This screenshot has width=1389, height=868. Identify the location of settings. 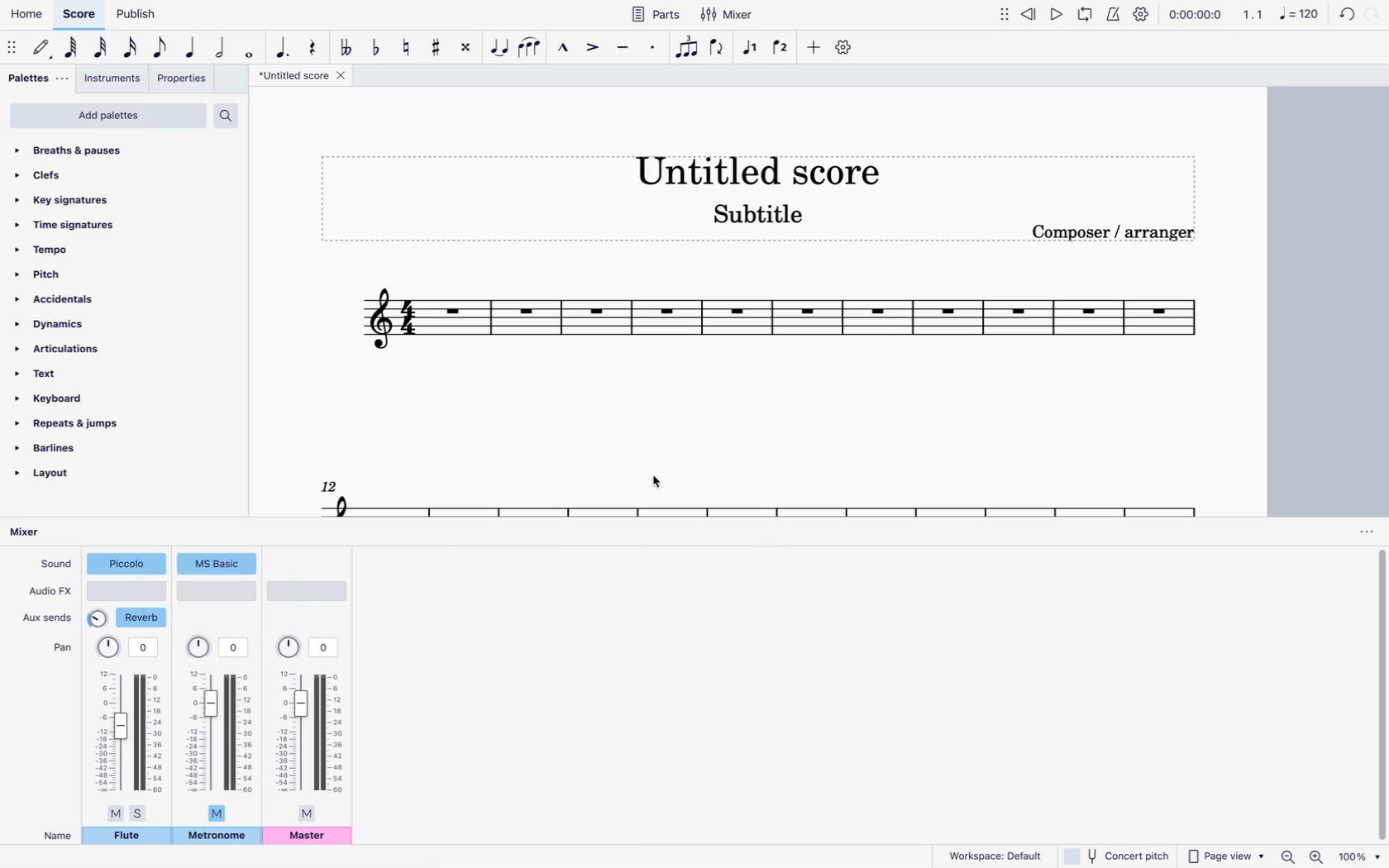
(1142, 14).